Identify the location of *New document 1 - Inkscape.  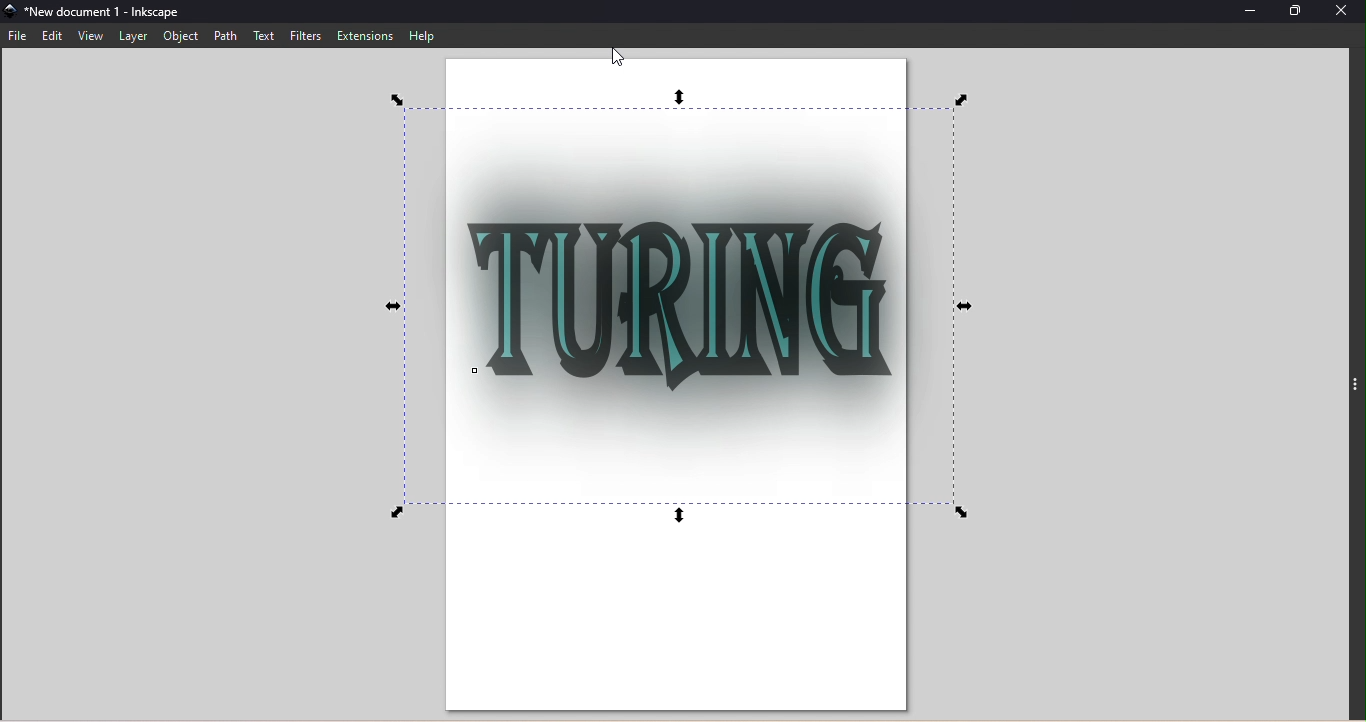
(123, 12).